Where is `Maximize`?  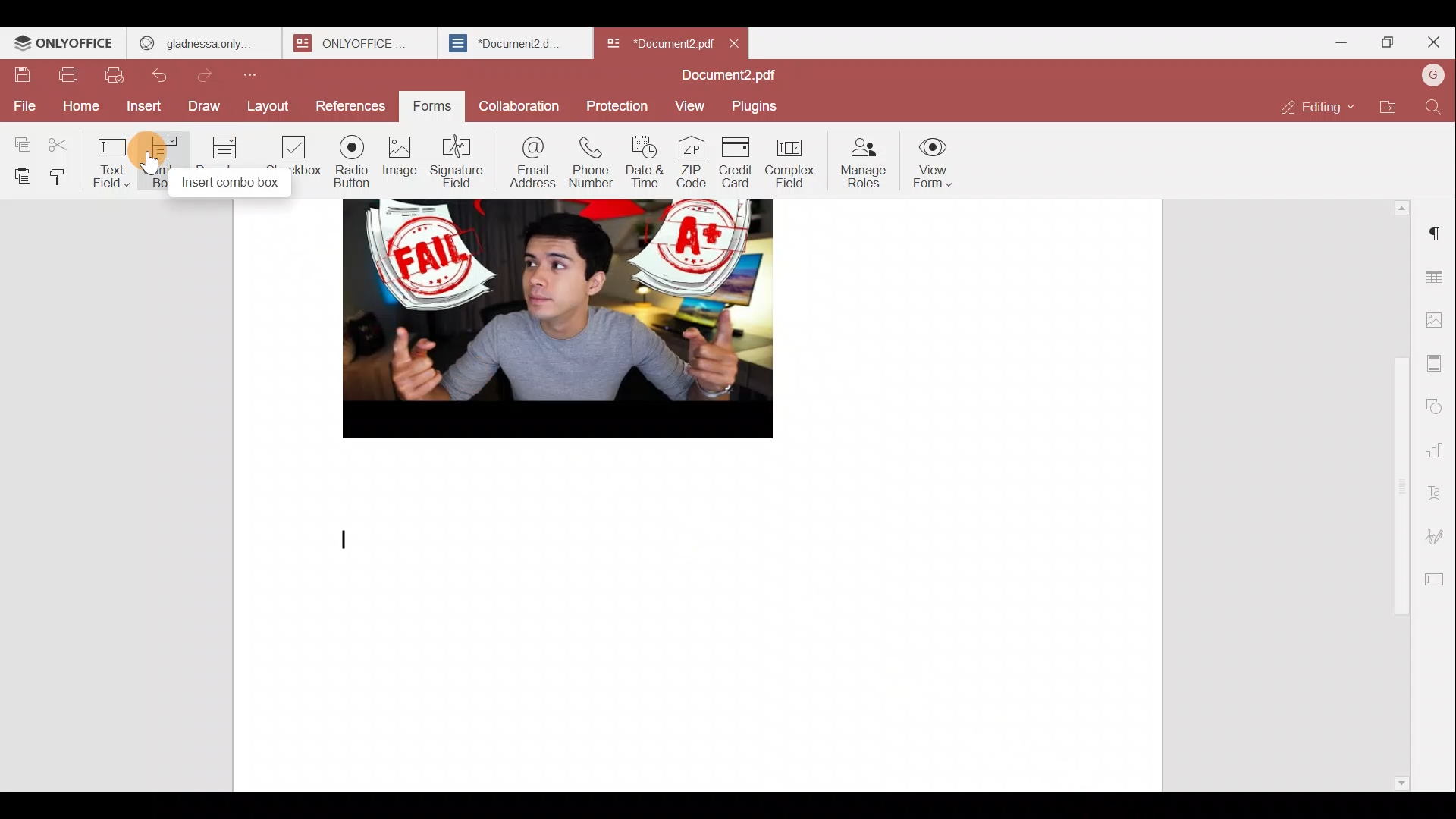
Maximize is located at coordinates (1383, 44).